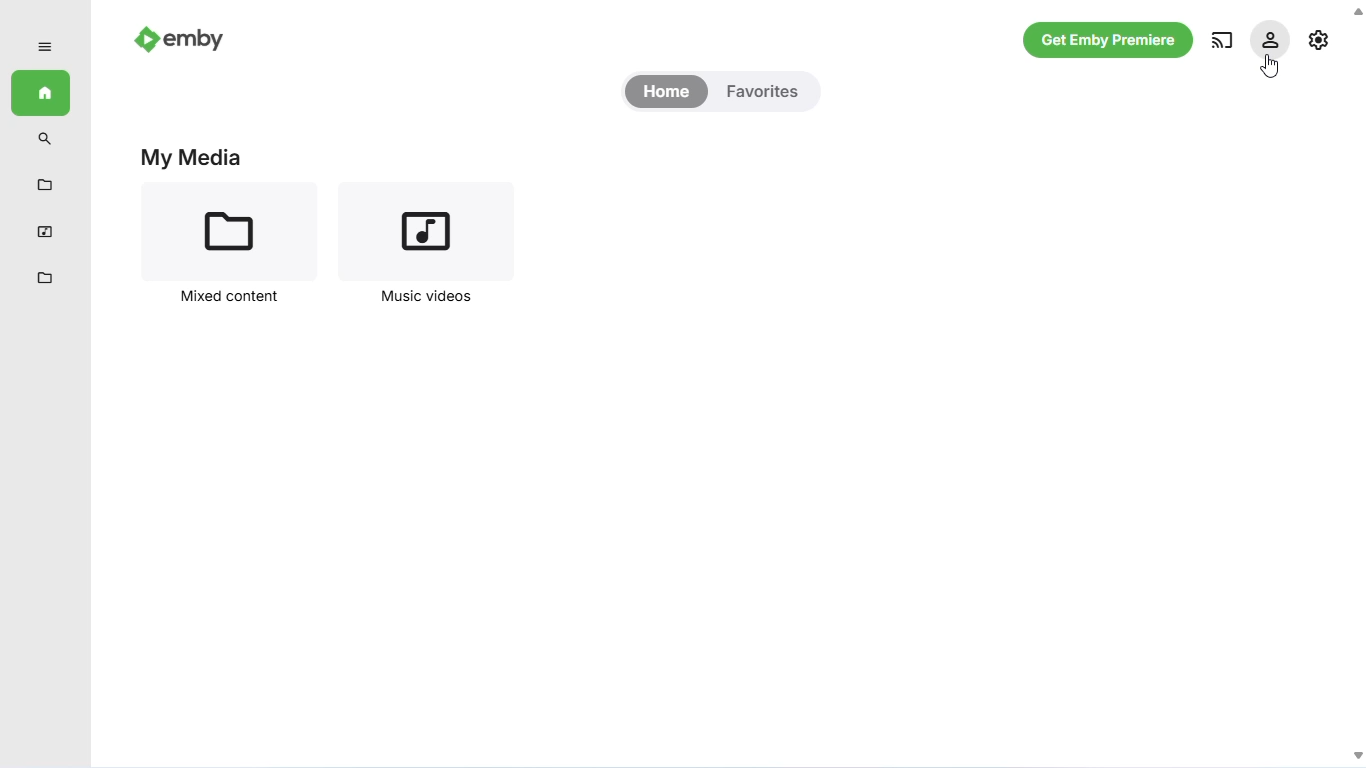  What do you see at coordinates (1270, 67) in the screenshot?
I see `cursor` at bounding box center [1270, 67].